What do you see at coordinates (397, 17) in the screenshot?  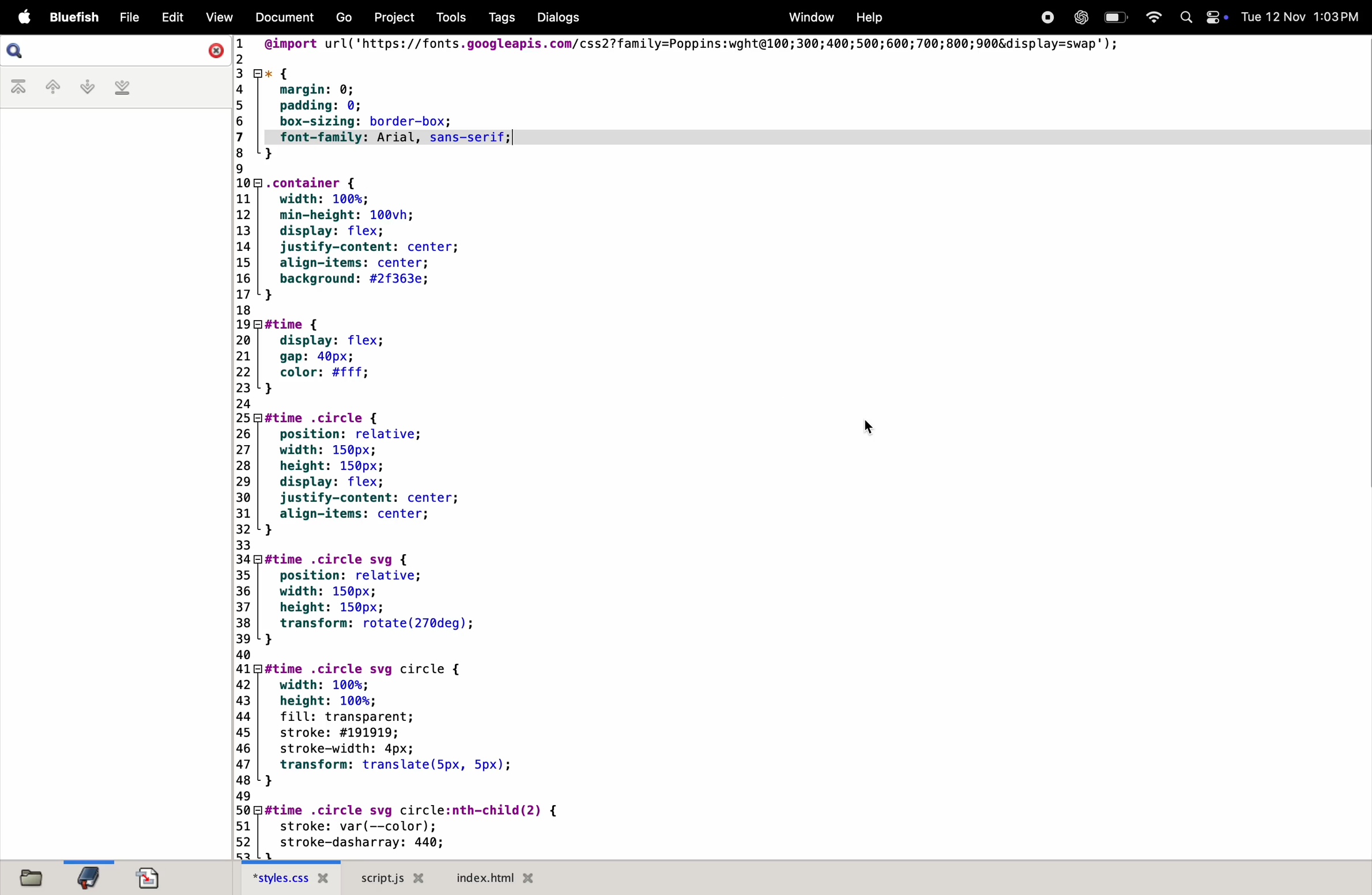 I see `Project` at bounding box center [397, 17].